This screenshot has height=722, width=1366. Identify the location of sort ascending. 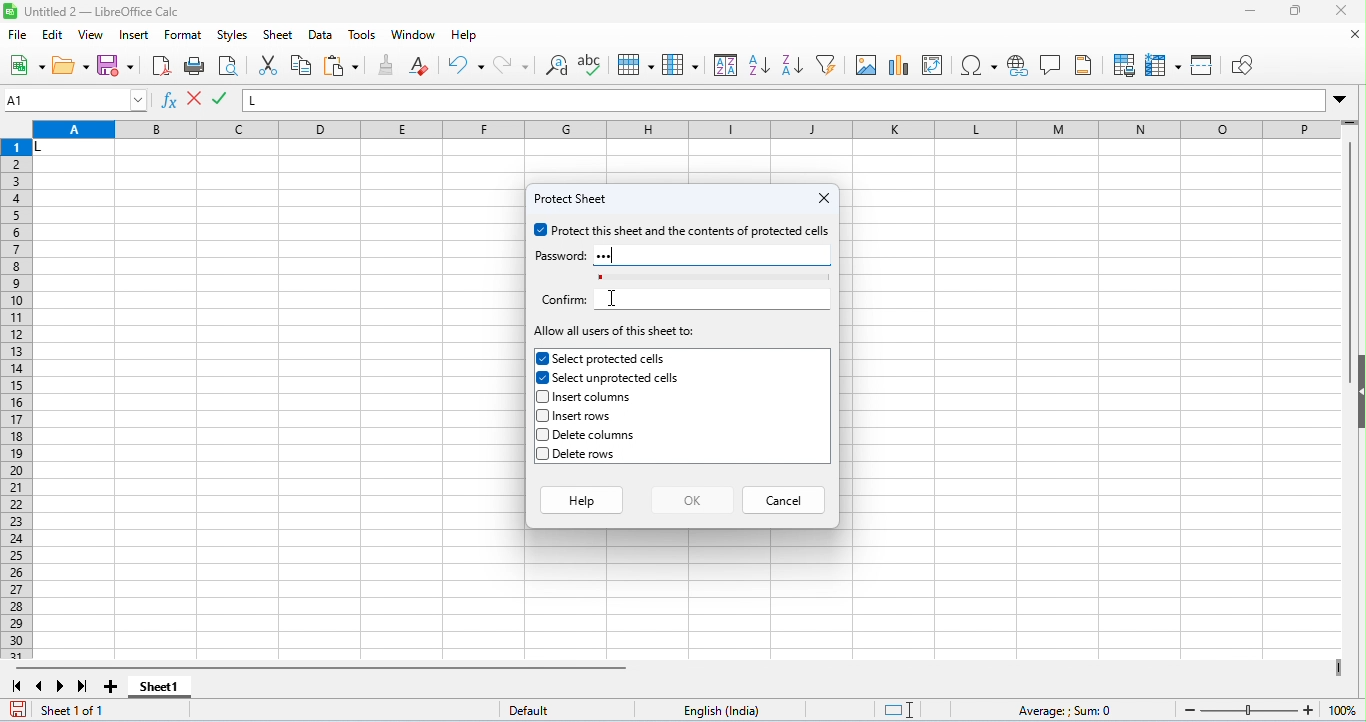
(759, 65).